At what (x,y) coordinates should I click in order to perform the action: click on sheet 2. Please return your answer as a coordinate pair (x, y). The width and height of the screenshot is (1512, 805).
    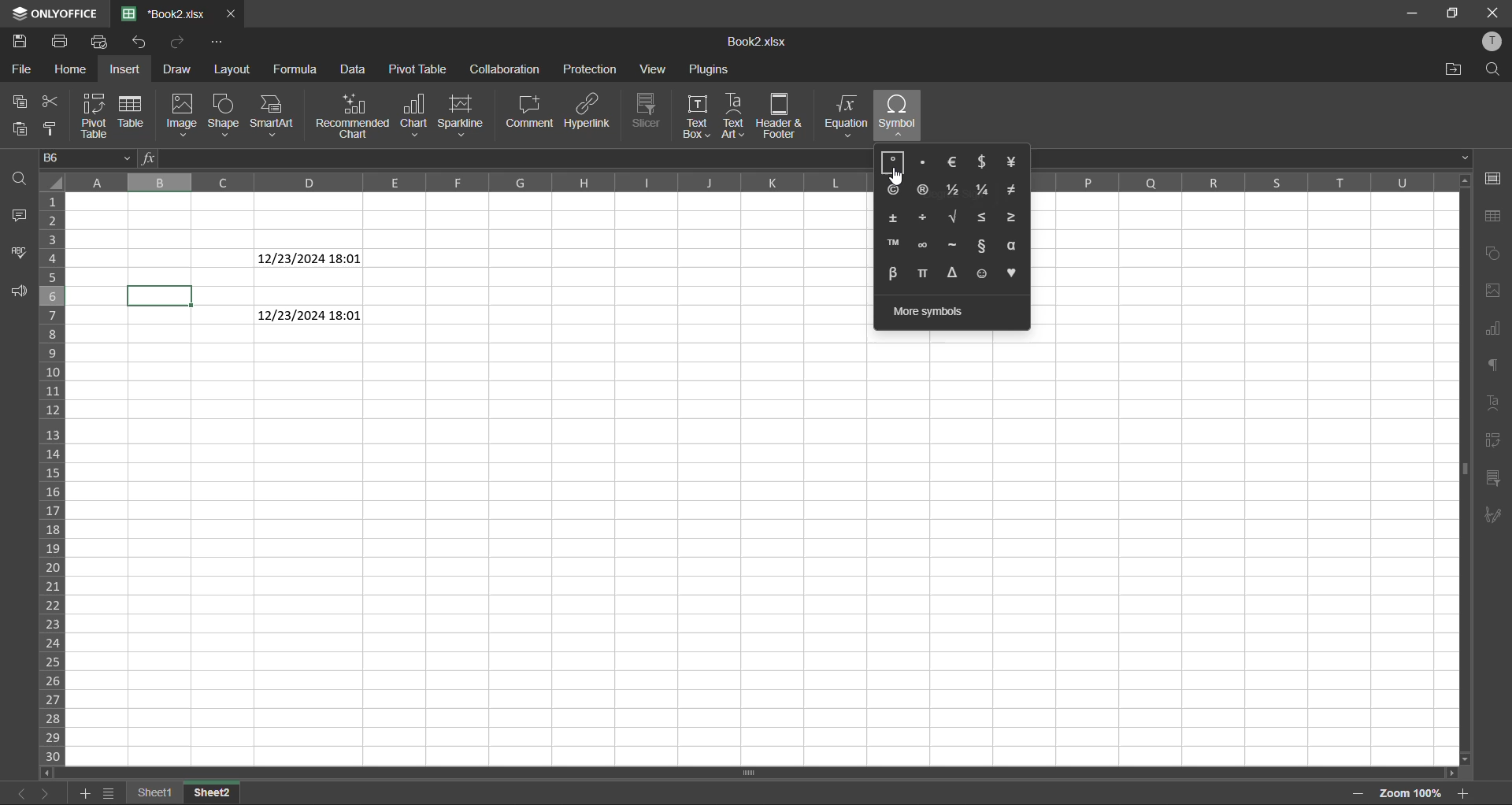
    Looking at the image, I should click on (210, 794).